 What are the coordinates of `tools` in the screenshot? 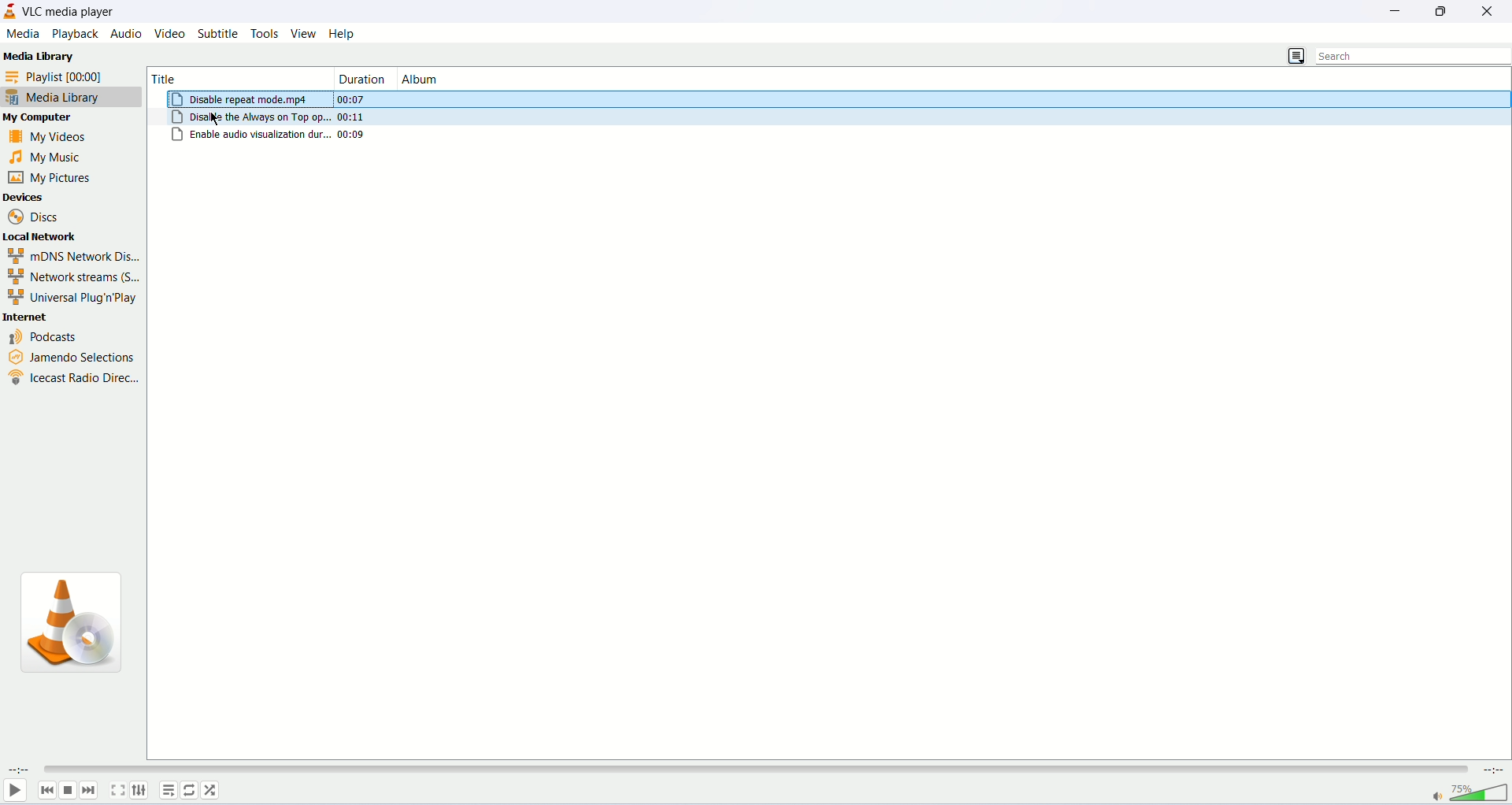 It's located at (265, 34).